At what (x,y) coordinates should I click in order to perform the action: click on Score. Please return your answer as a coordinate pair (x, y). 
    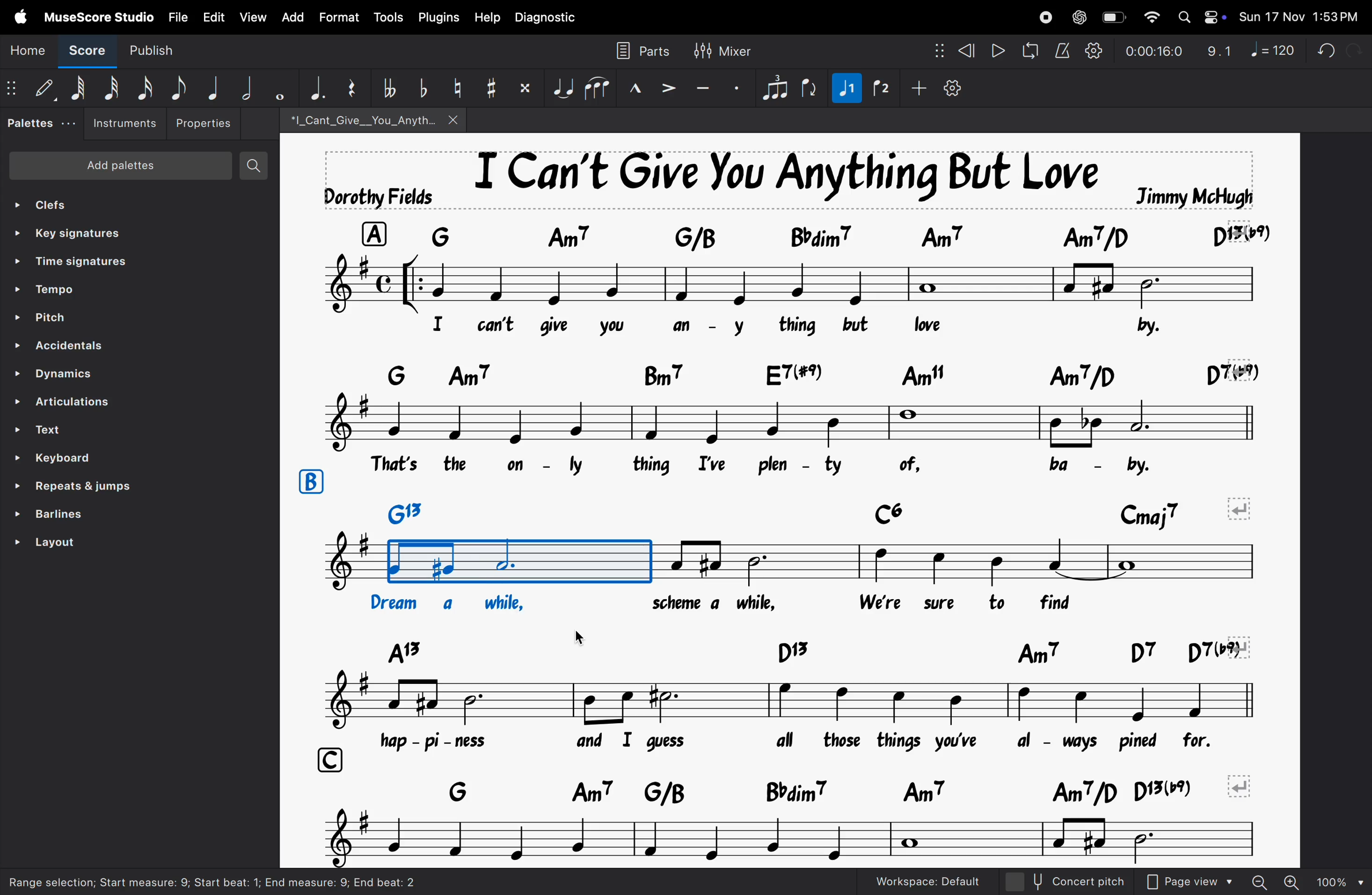
    Looking at the image, I should click on (84, 54).